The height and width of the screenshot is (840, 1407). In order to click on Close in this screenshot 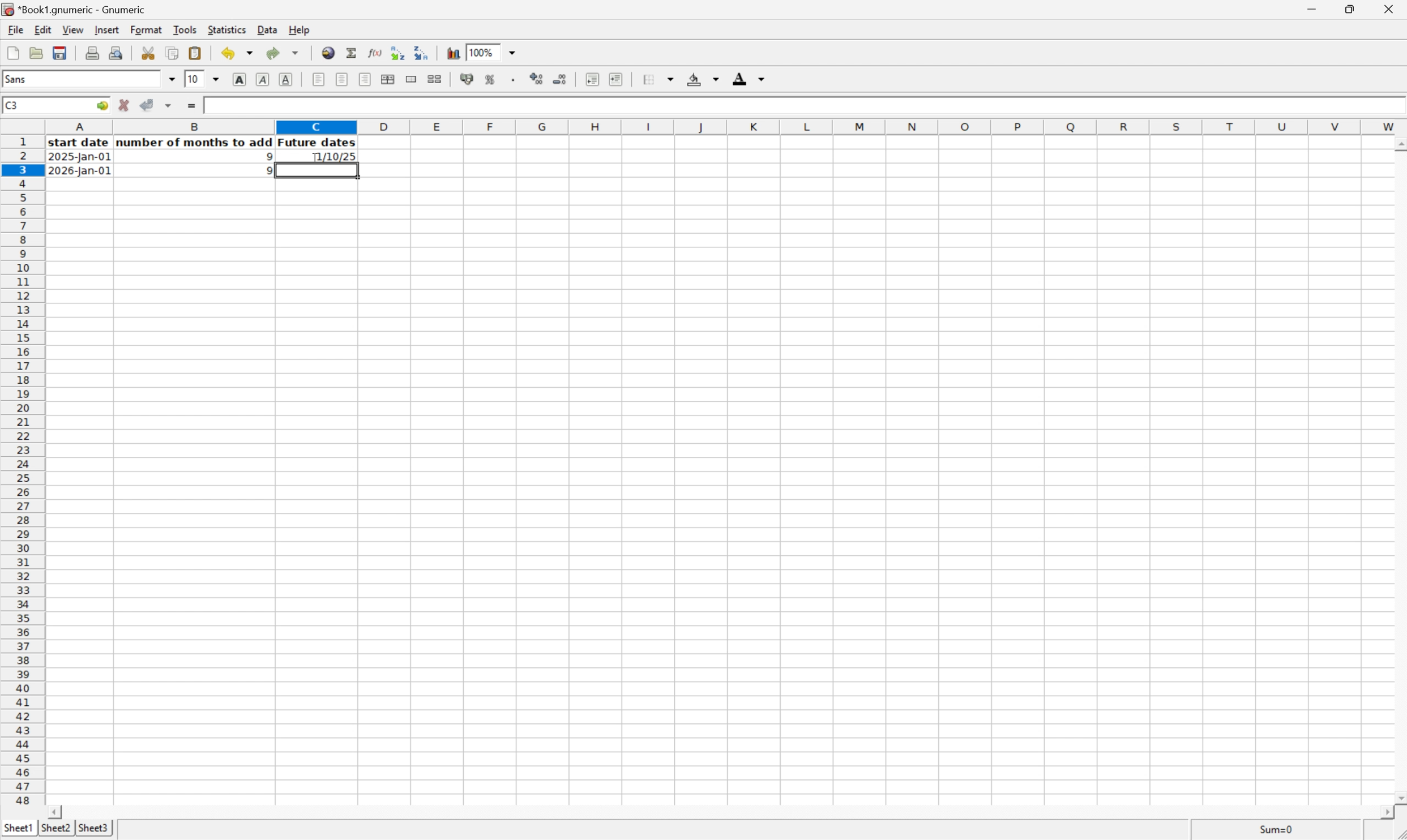, I will do `click(1390, 7)`.